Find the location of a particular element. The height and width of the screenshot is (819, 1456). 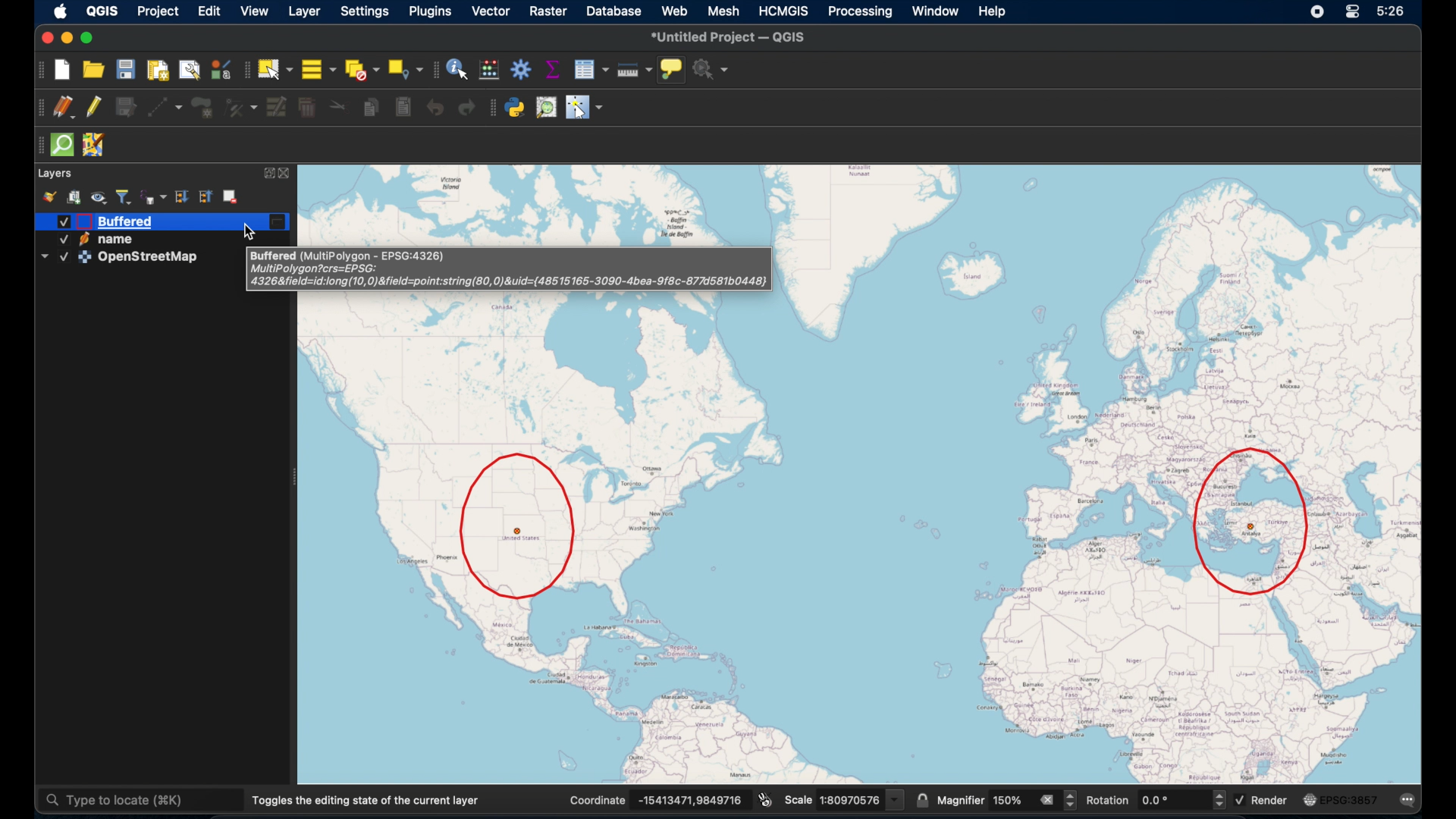

paste features is located at coordinates (403, 108).